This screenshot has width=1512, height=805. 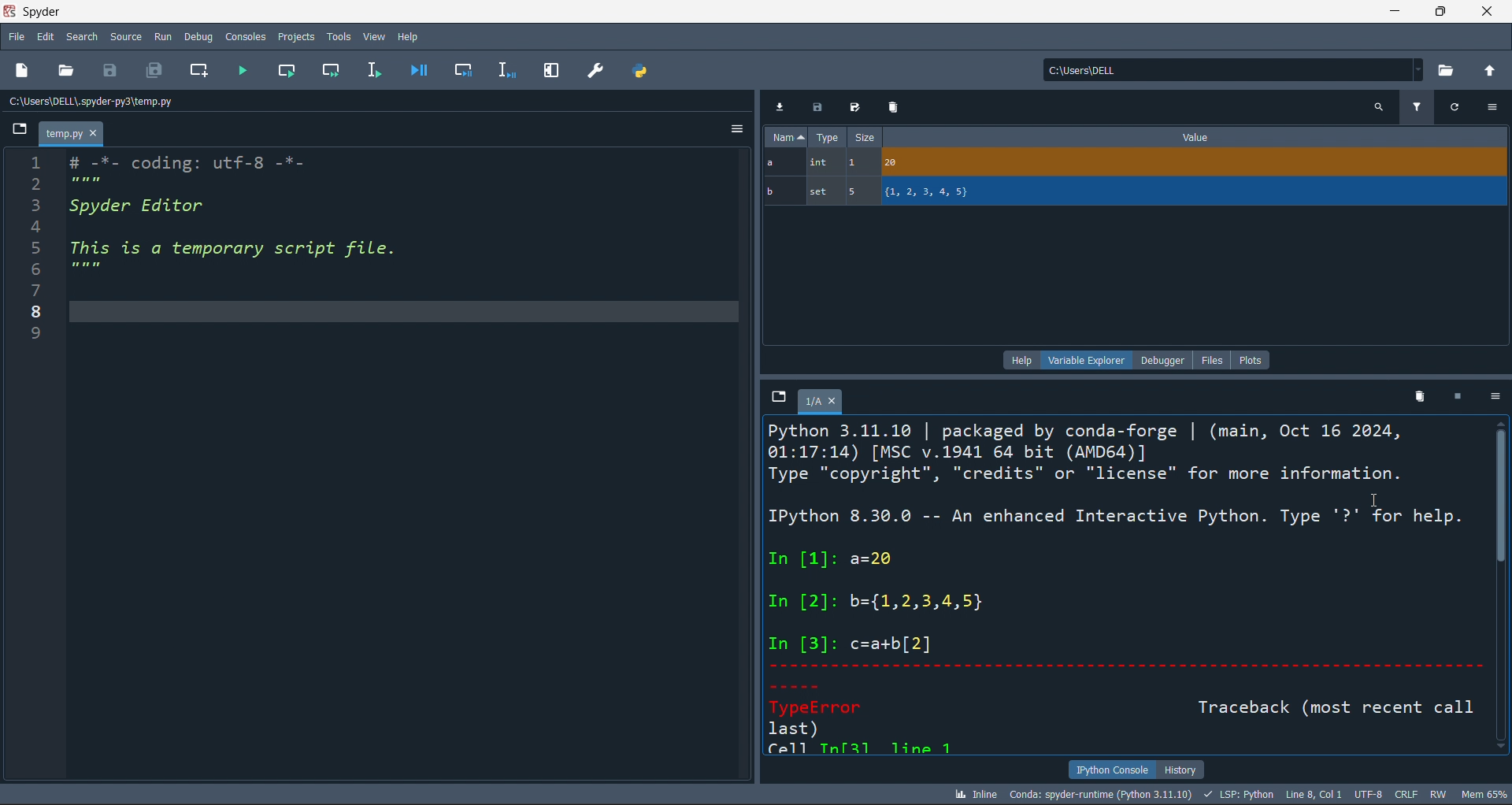 What do you see at coordinates (735, 132) in the screenshot?
I see `options` at bounding box center [735, 132].